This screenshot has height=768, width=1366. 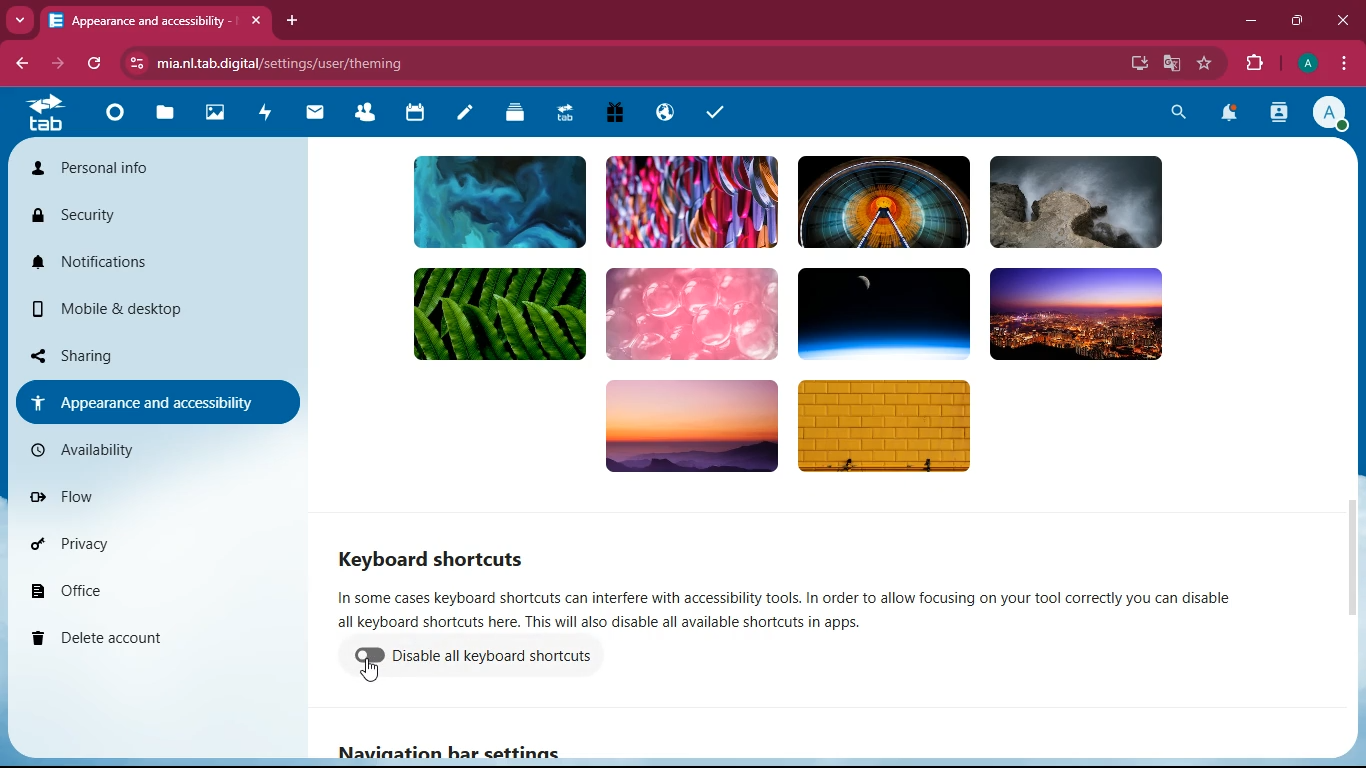 I want to click on refresh, so click(x=96, y=64).